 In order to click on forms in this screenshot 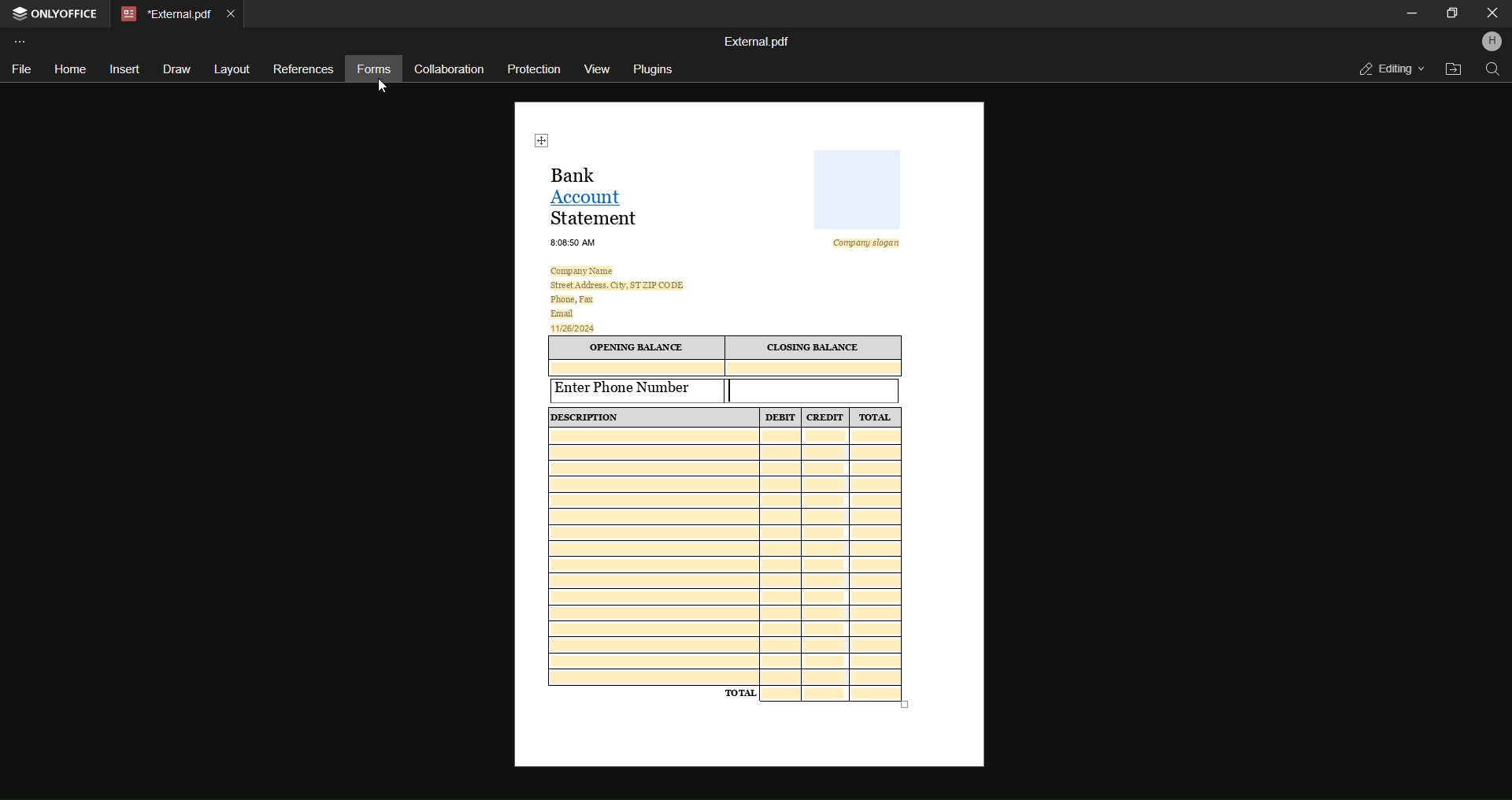, I will do `click(371, 69)`.